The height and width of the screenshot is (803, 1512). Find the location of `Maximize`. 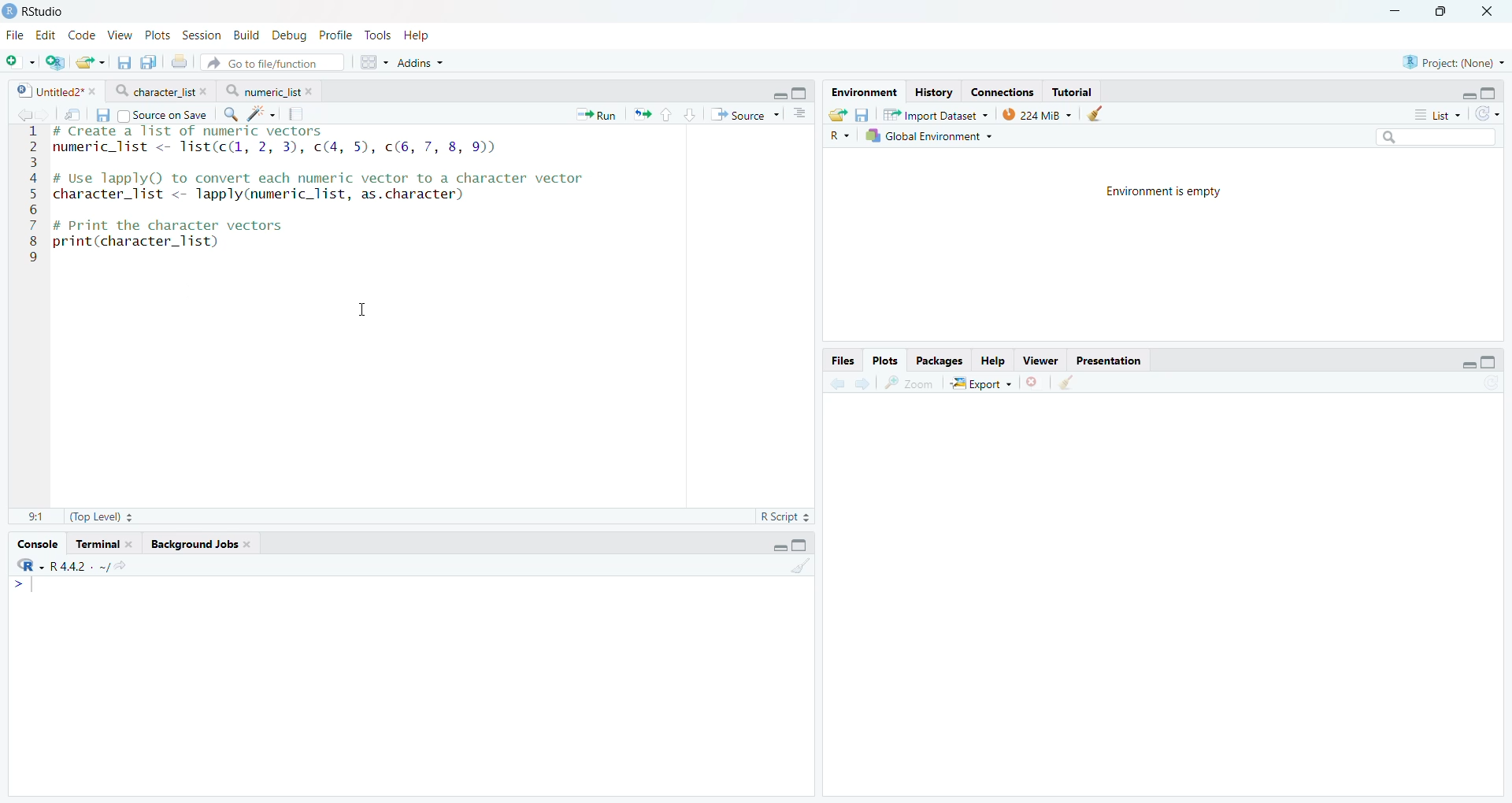

Maximize is located at coordinates (1448, 11).